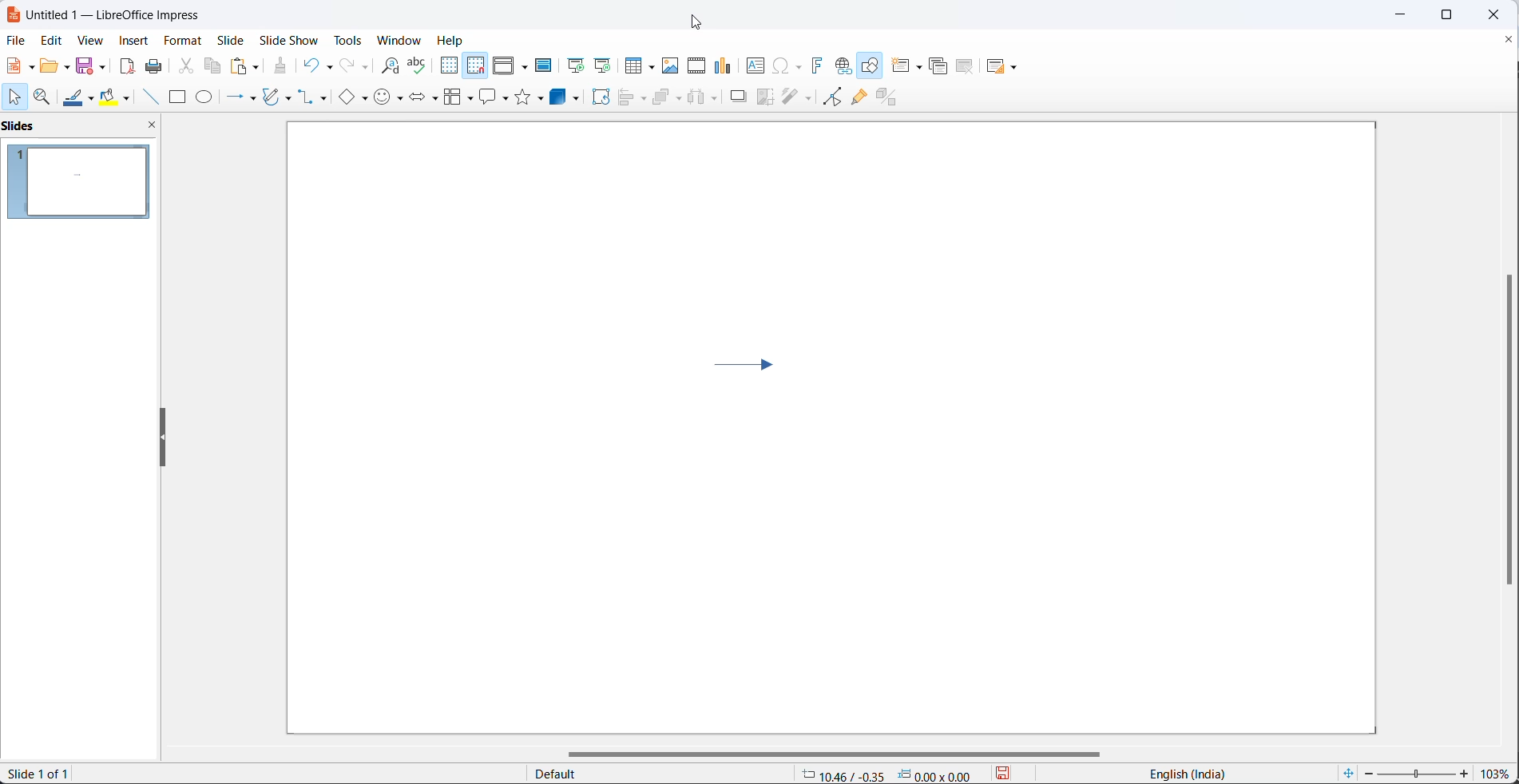  Describe the element at coordinates (154, 65) in the screenshot. I see `print` at that location.